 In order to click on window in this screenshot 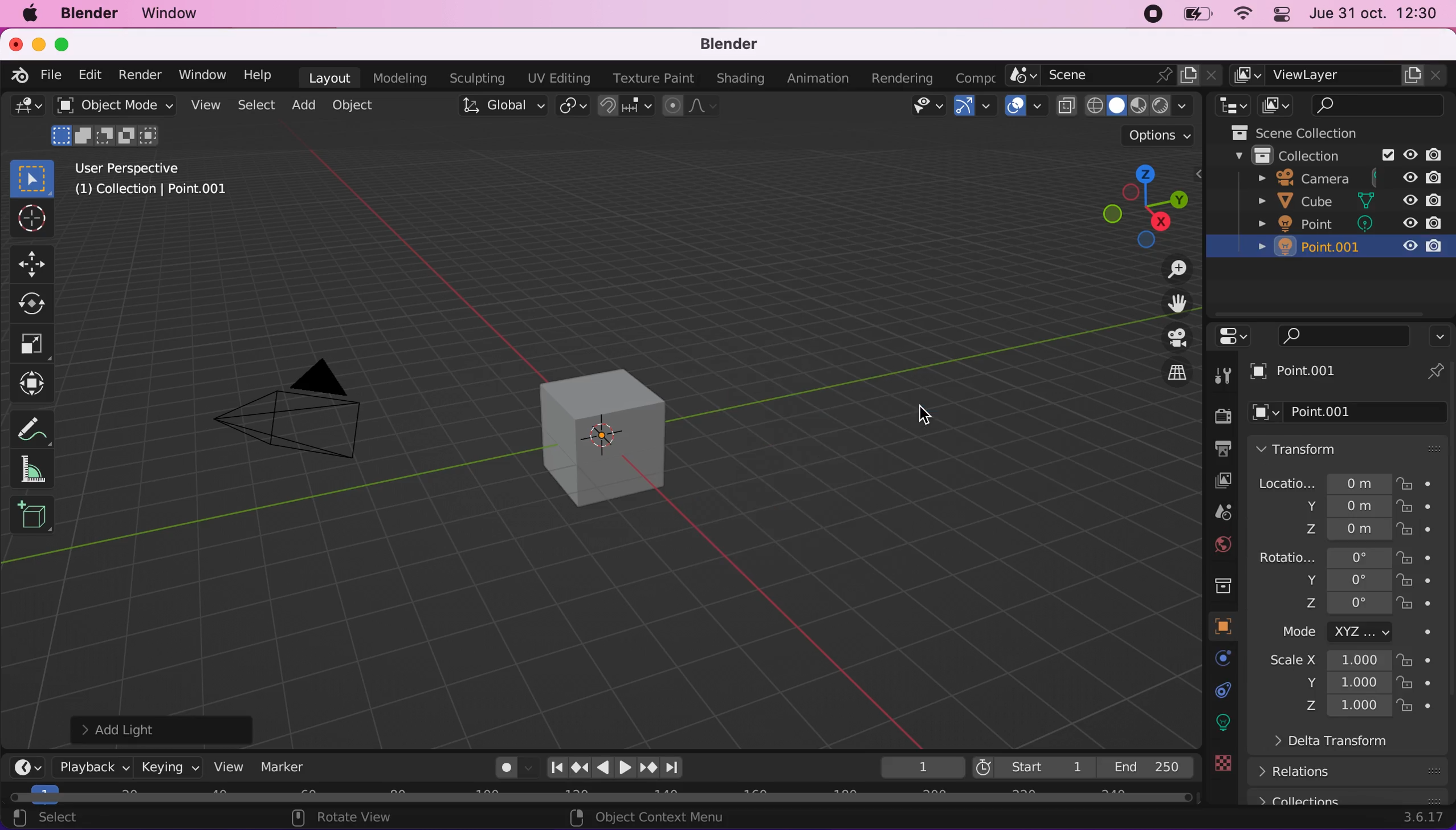, I will do `click(206, 75)`.